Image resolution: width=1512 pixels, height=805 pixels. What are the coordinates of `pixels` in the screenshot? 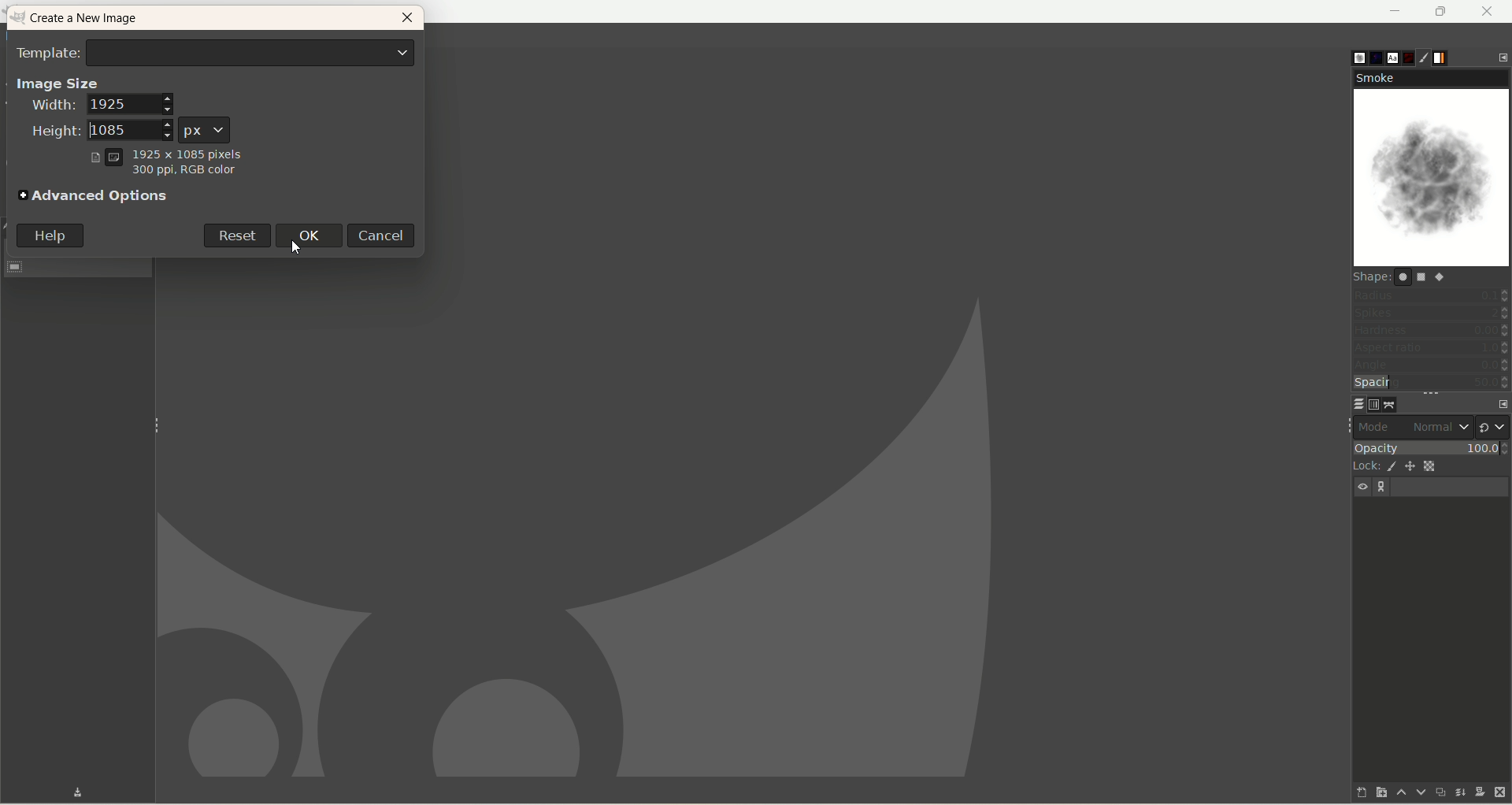 It's located at (166, 152).